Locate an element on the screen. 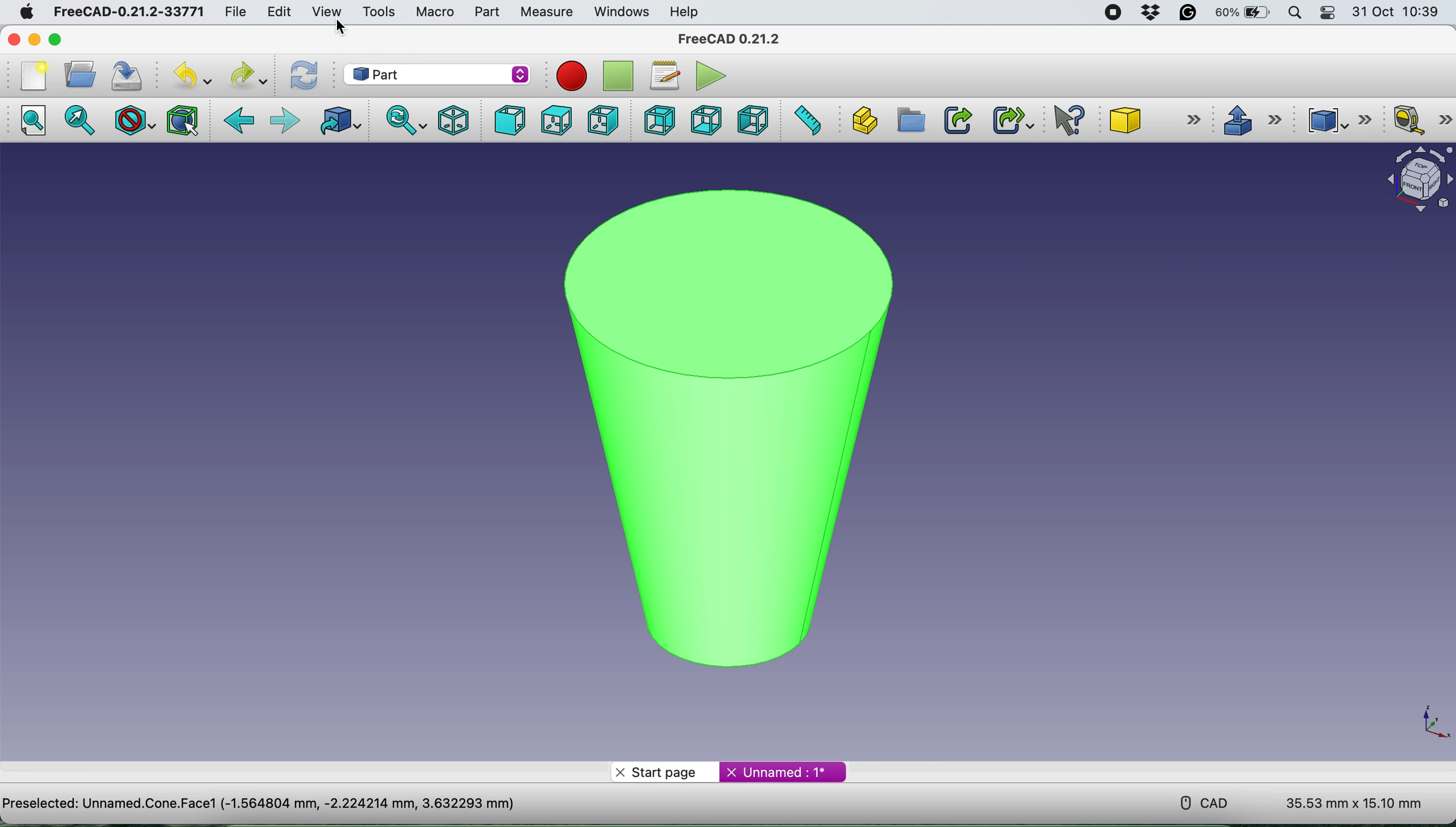  cone is located at coordinates (1157, 122).